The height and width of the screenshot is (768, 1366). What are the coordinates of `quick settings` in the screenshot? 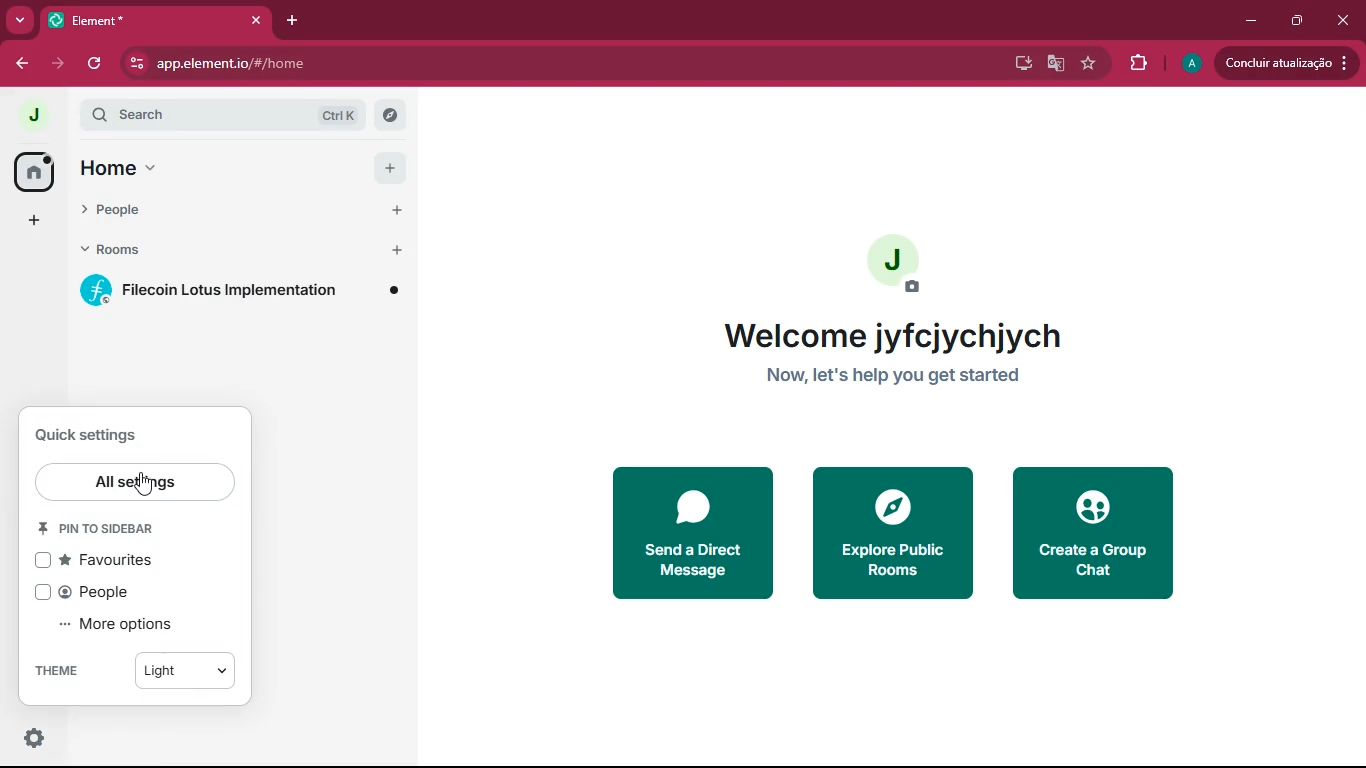 It's located at (34, 737).